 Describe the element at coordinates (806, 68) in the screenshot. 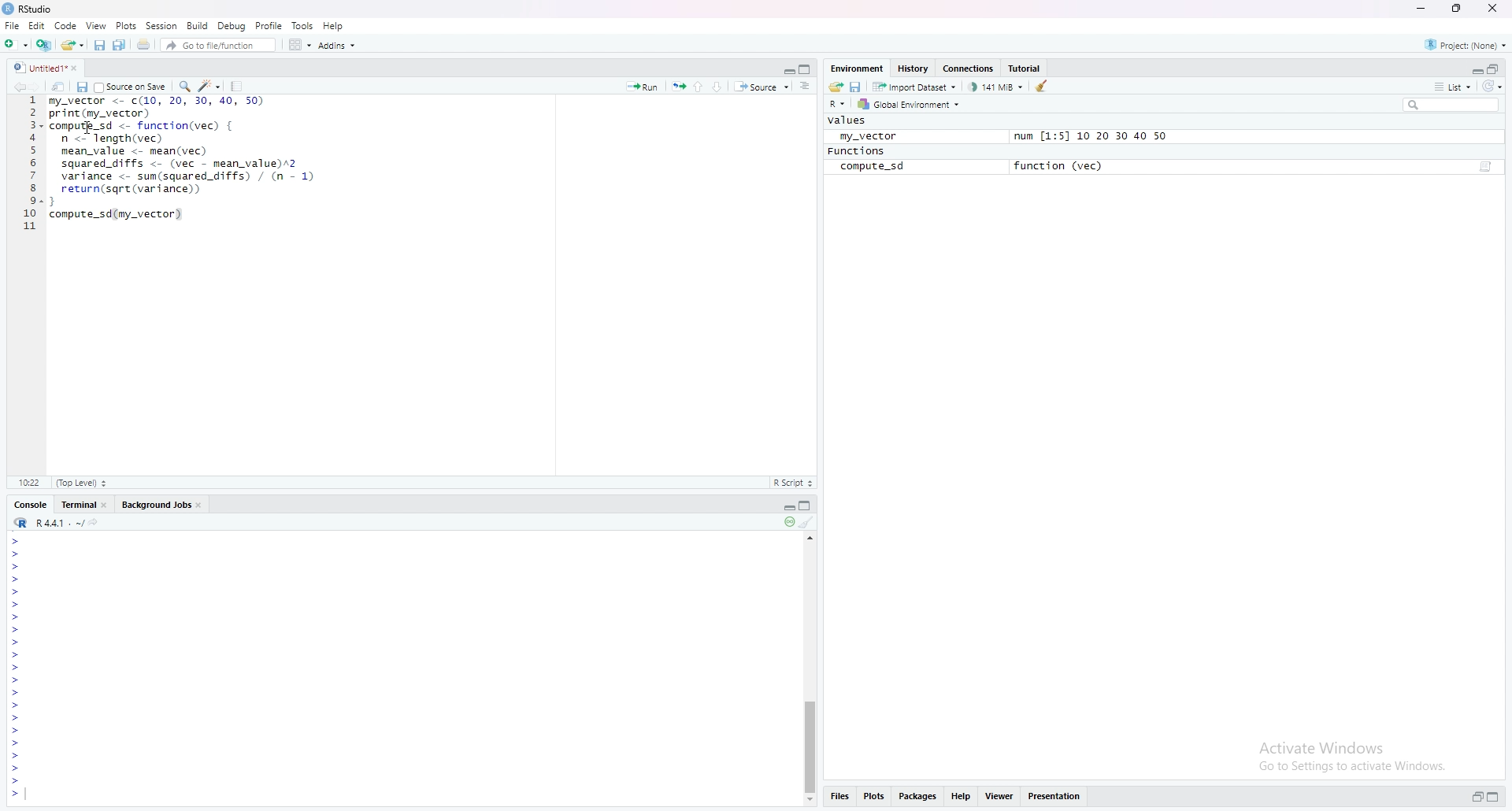

I see `Maximize/Restore` at that location.